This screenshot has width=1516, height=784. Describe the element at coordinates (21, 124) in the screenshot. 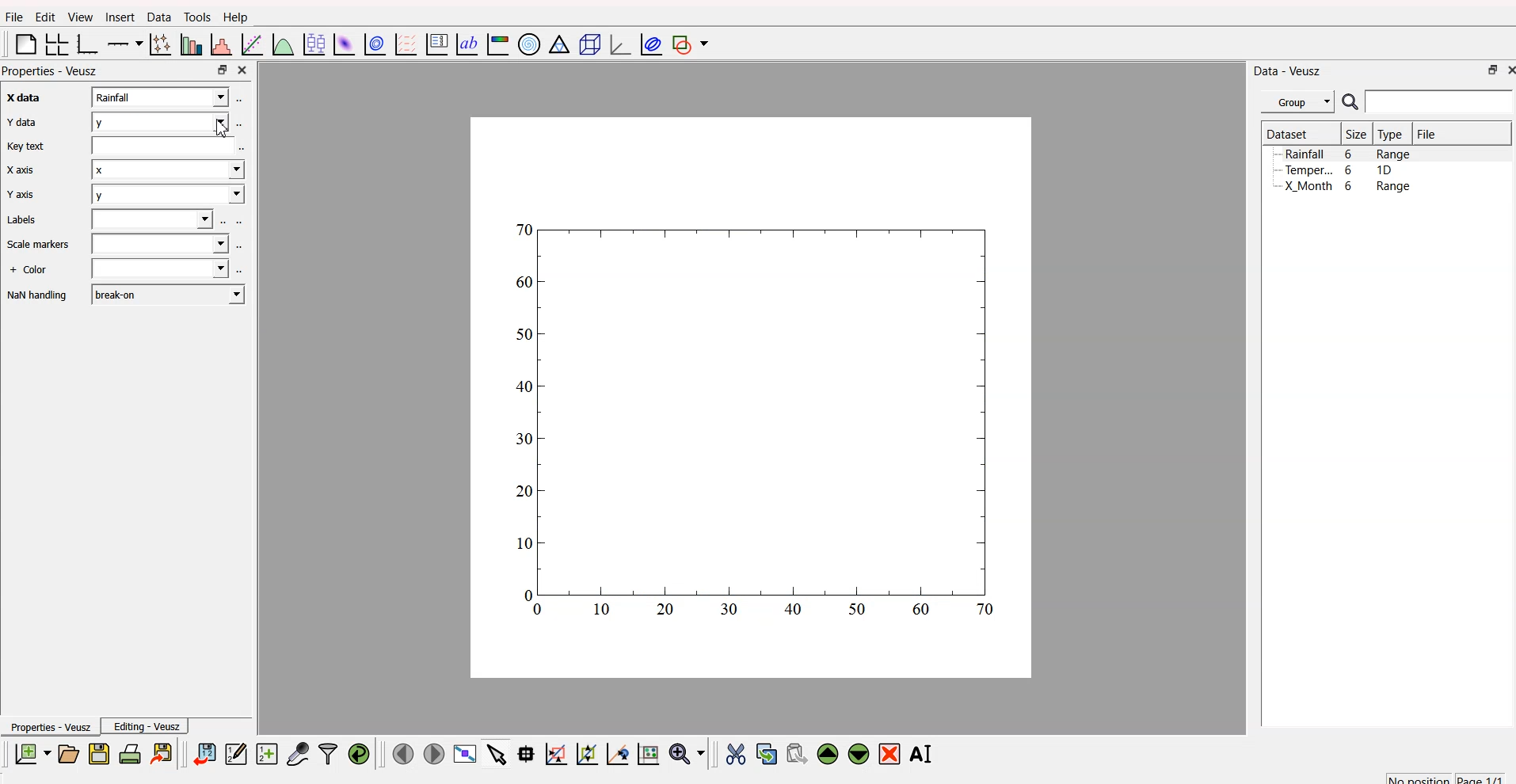

I see `Y data` at that location.